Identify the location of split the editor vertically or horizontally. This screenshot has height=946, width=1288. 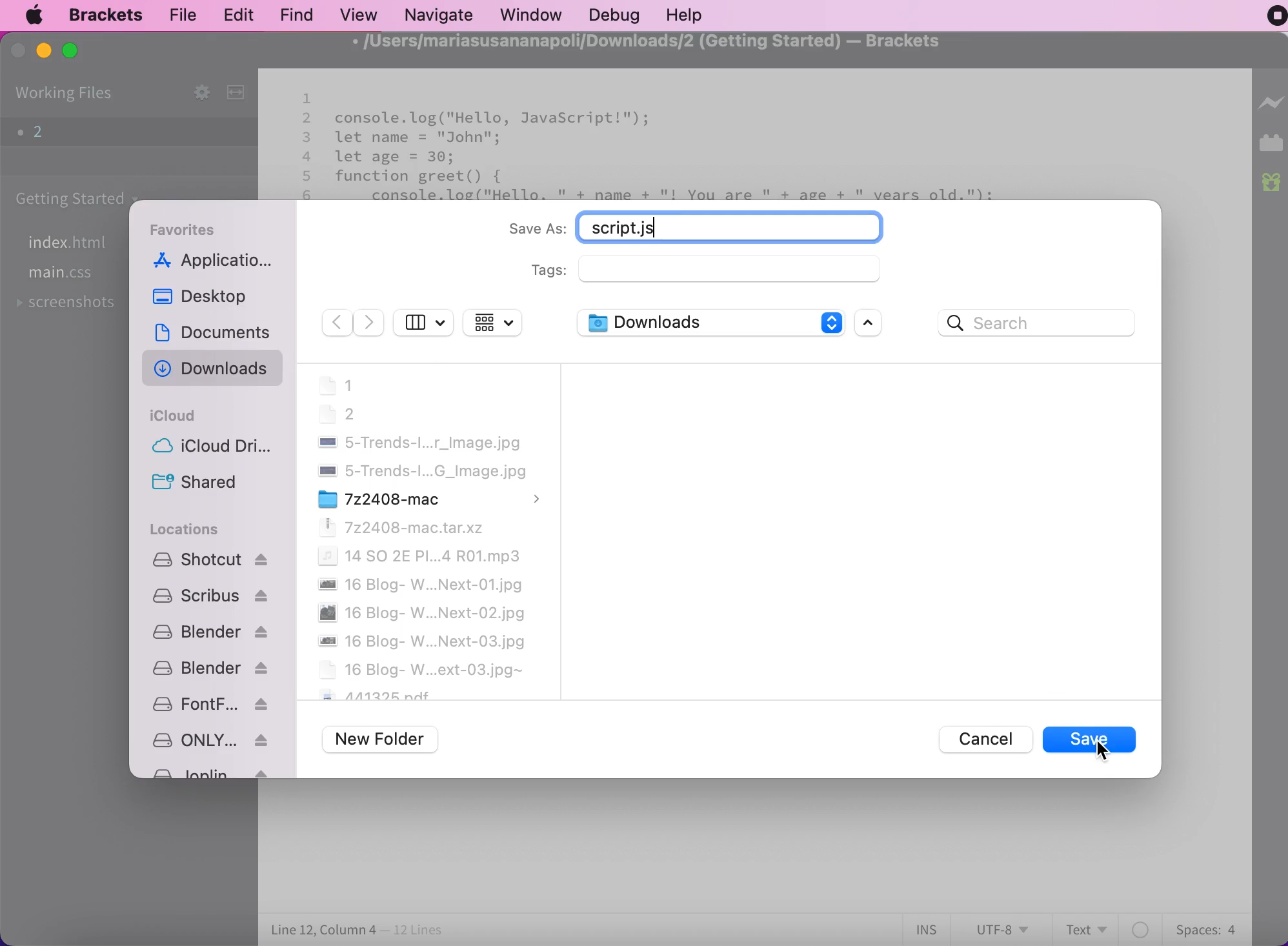
(239, 94).